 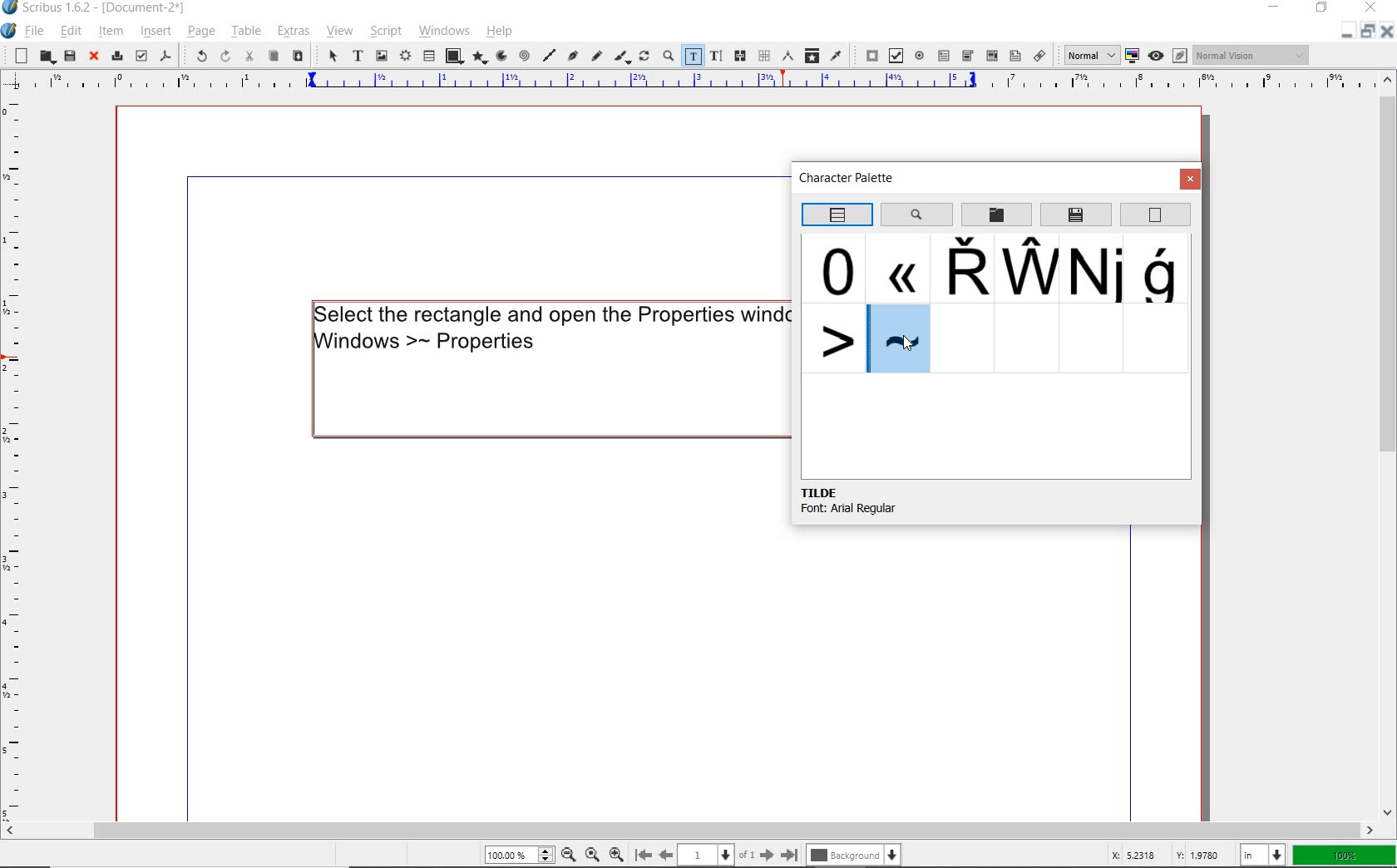 I want to click on copy item properties, so click(x=812, y=55).